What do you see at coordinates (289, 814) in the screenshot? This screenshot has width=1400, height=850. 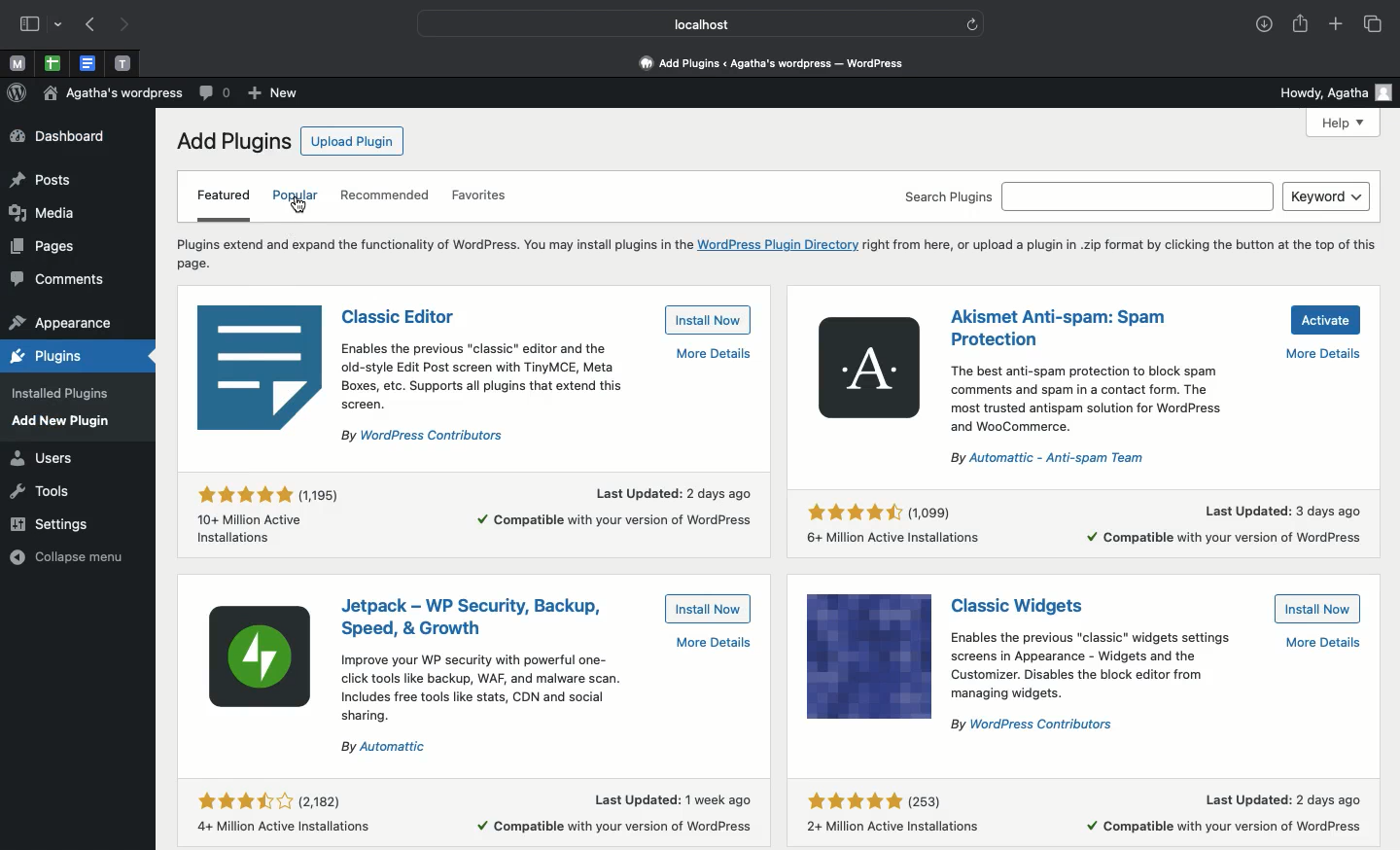 I see `Rating` at bounding box center [289, 814].